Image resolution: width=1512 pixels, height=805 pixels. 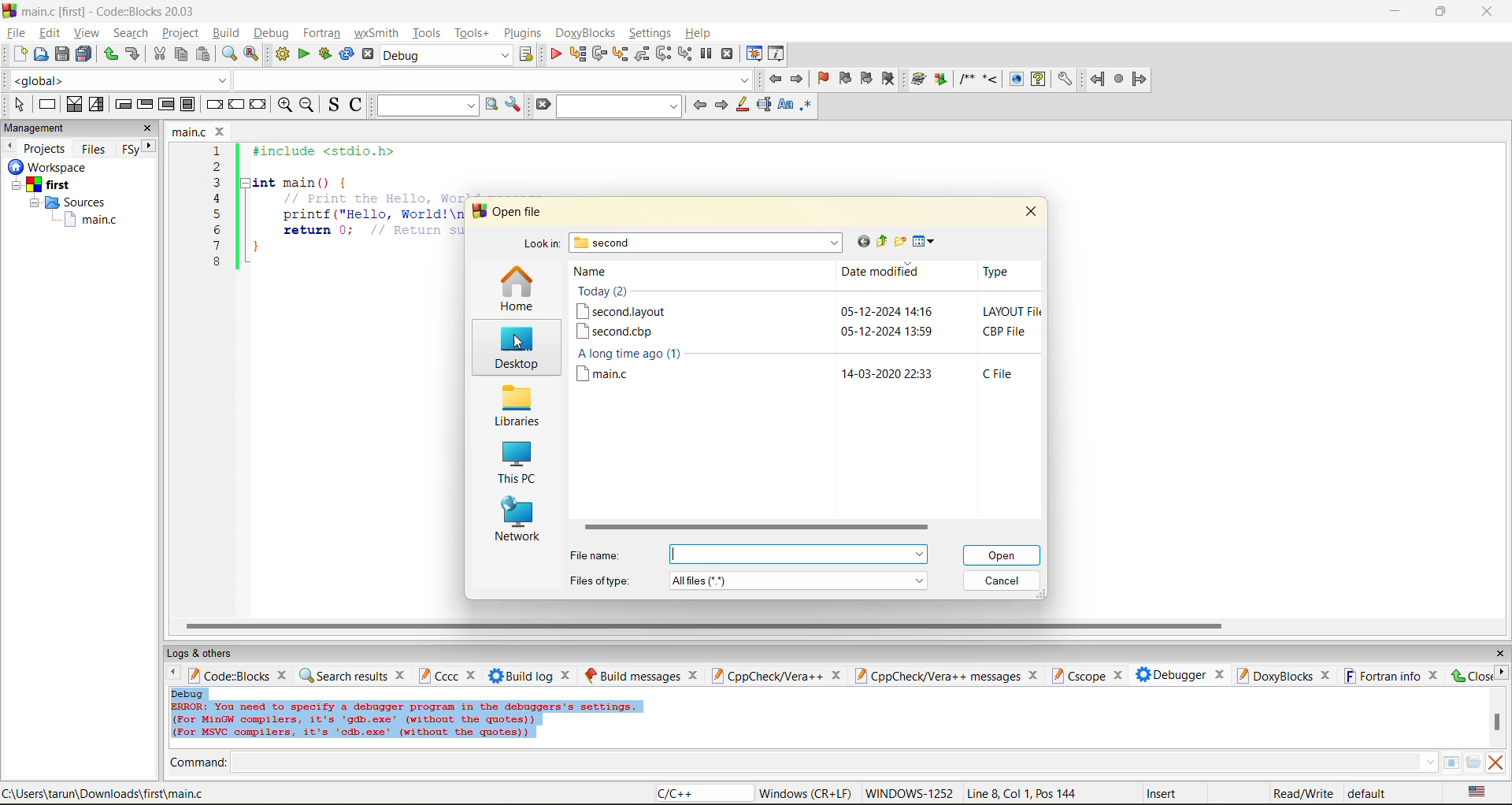 What do you see at coordinates (63, 54) in the screenshot?
I see `save` at bounding box center [63, 54].